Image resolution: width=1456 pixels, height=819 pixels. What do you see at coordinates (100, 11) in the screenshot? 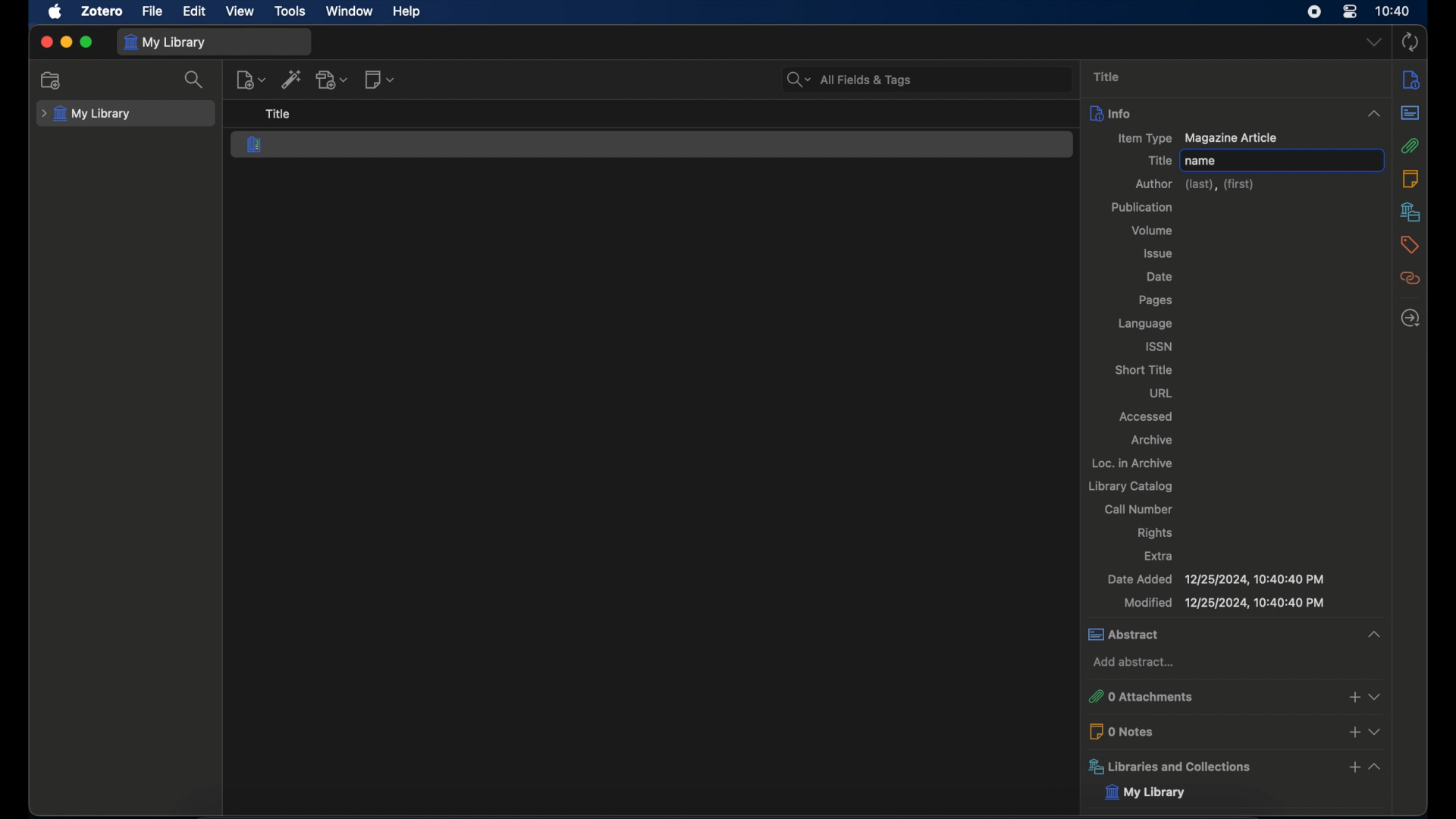
I see `zotero` at bounding box center [100, 11].